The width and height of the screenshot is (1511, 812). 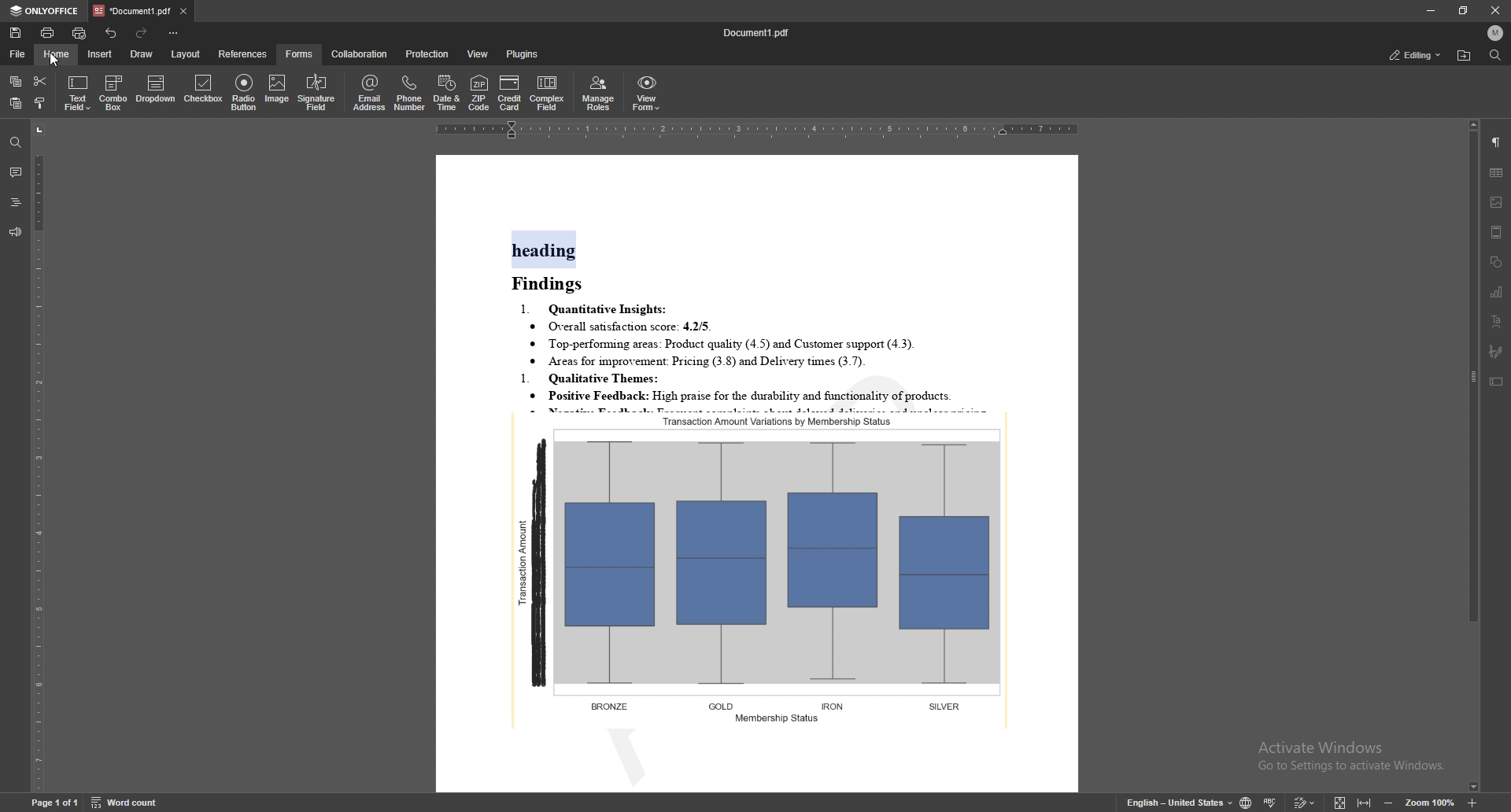 What do you see at coordinates (187, 54) in the screenshot?
I see `layout` at bounding box center [187, 54].